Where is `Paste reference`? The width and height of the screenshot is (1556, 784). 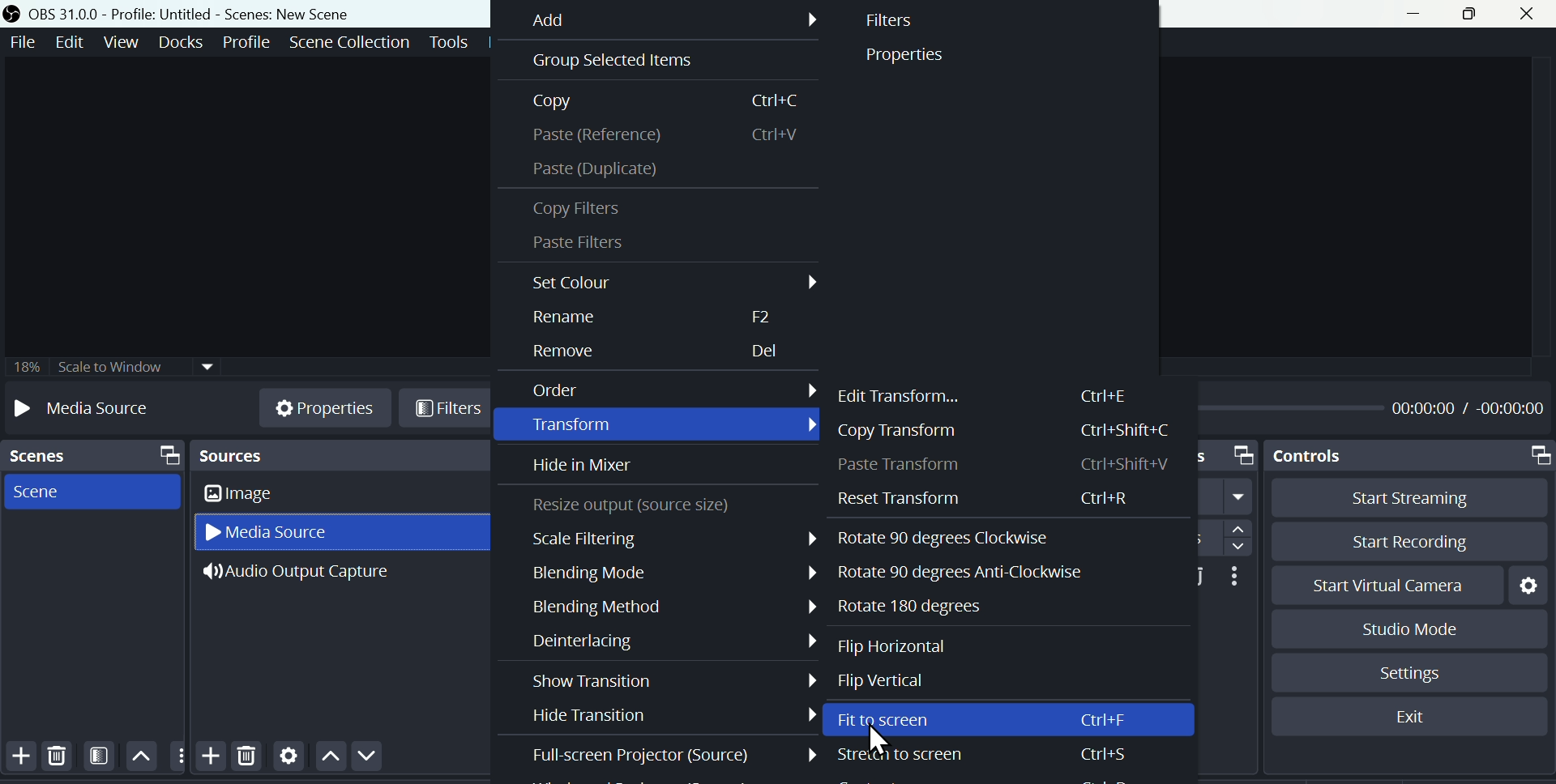
Paste reference is located at coordinates (662, 138).